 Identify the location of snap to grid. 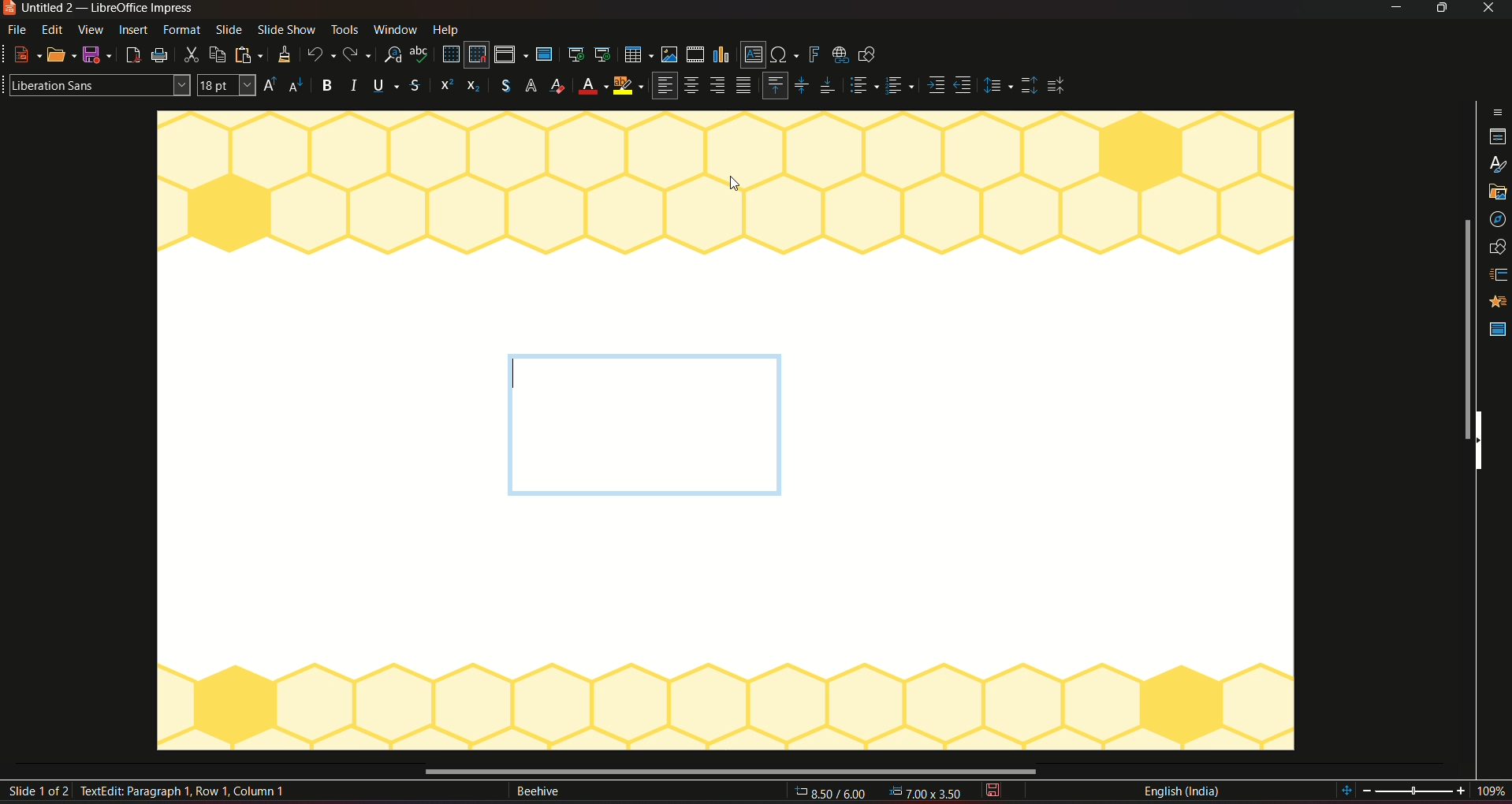
(478, 55).